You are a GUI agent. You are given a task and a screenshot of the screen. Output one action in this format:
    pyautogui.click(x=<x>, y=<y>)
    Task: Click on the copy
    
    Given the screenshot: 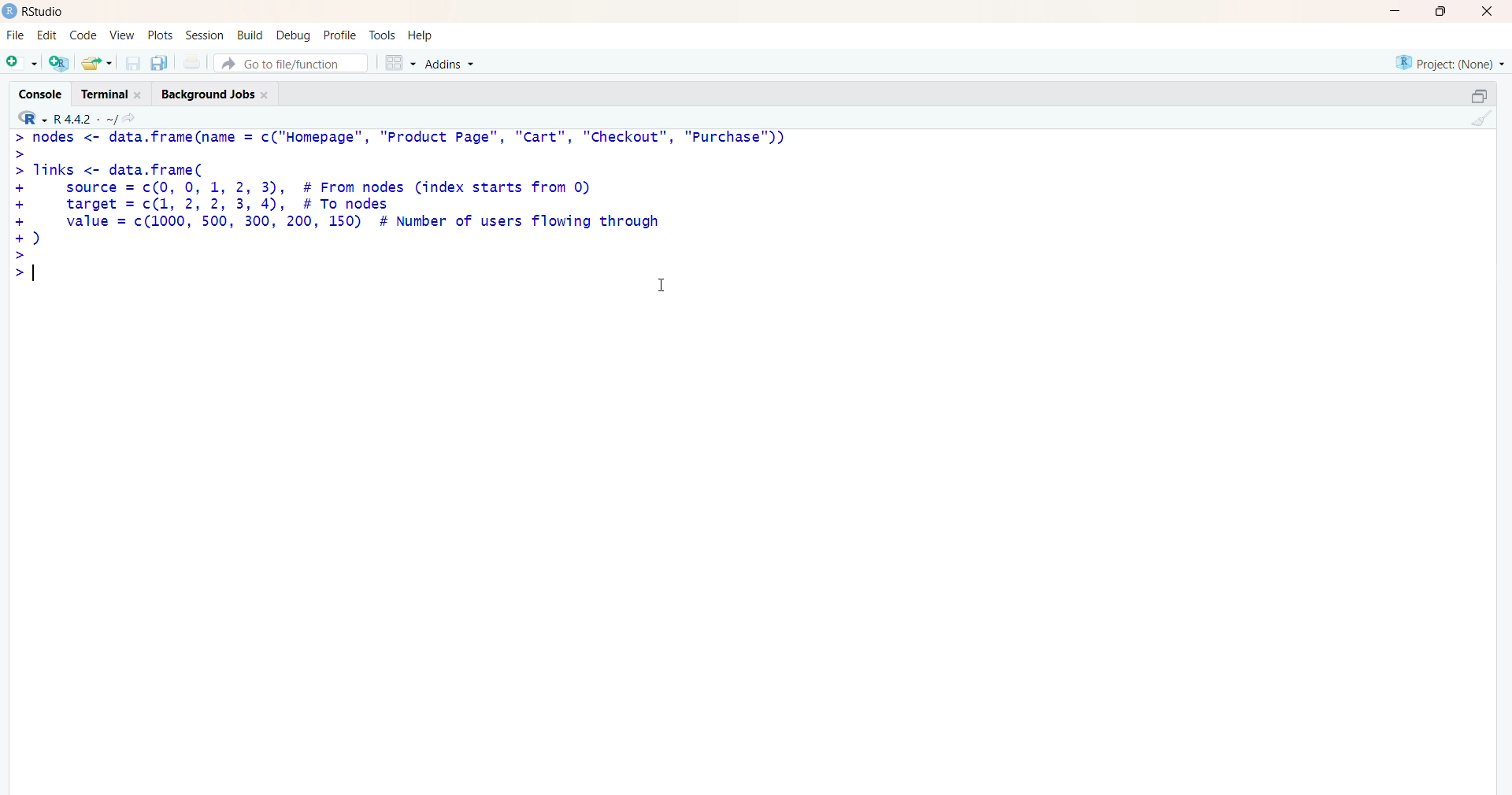 What is the action you would take?
    pyautogui.click(x=1468, y=93)
    